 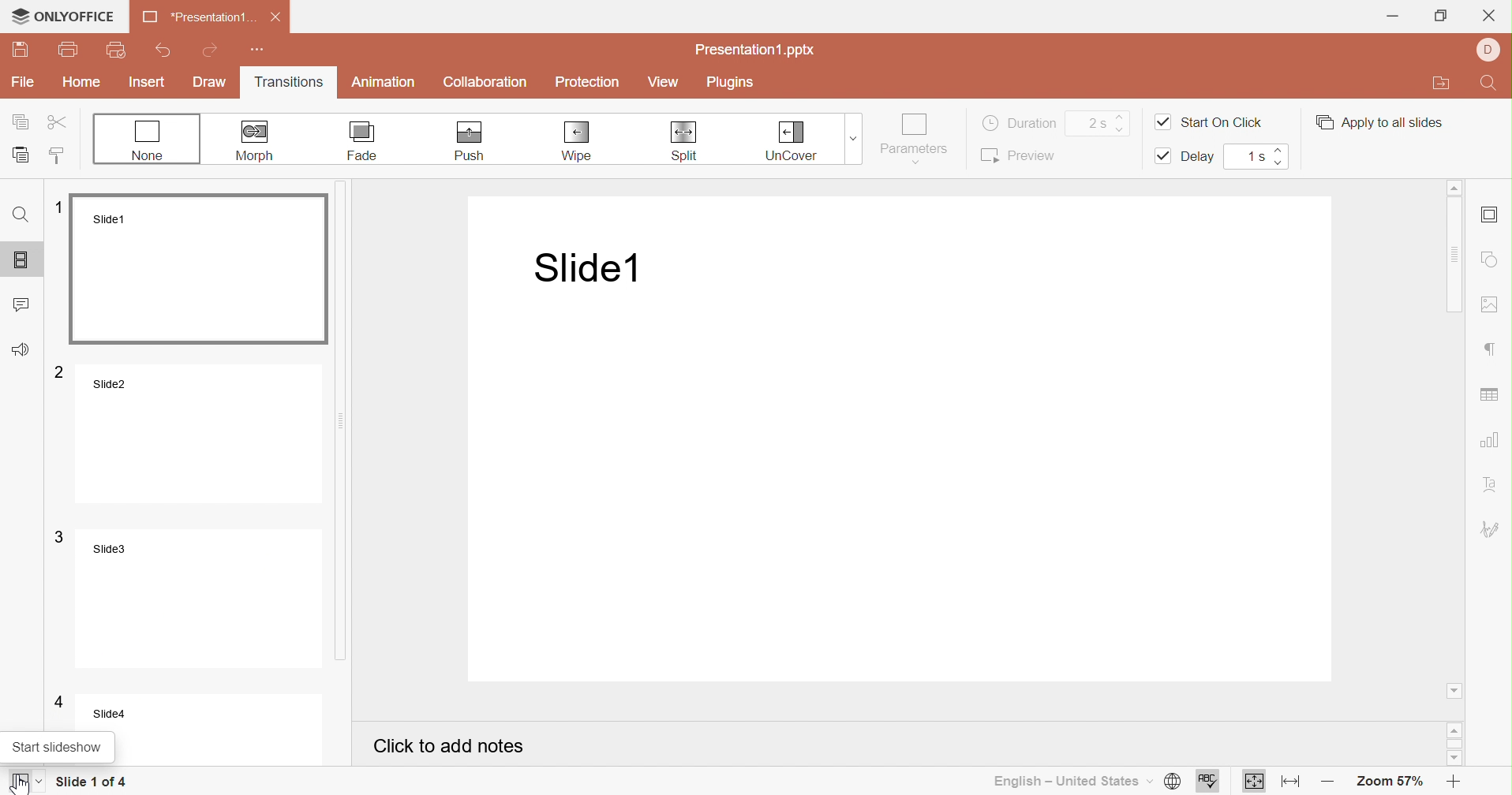 I want to click on Scroll bar, so click(x=1456, y=435).